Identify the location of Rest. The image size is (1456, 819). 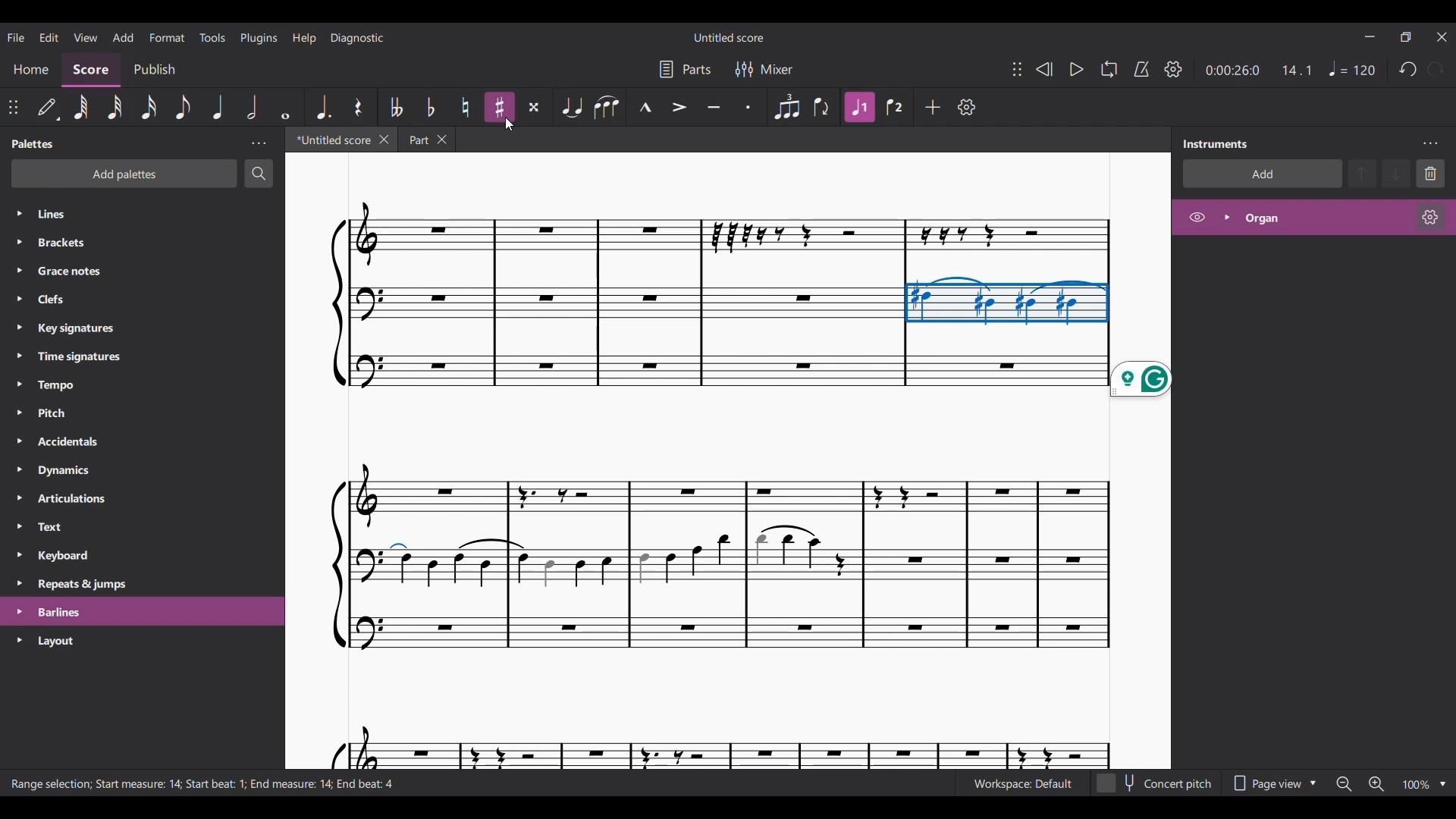
(358, 106).